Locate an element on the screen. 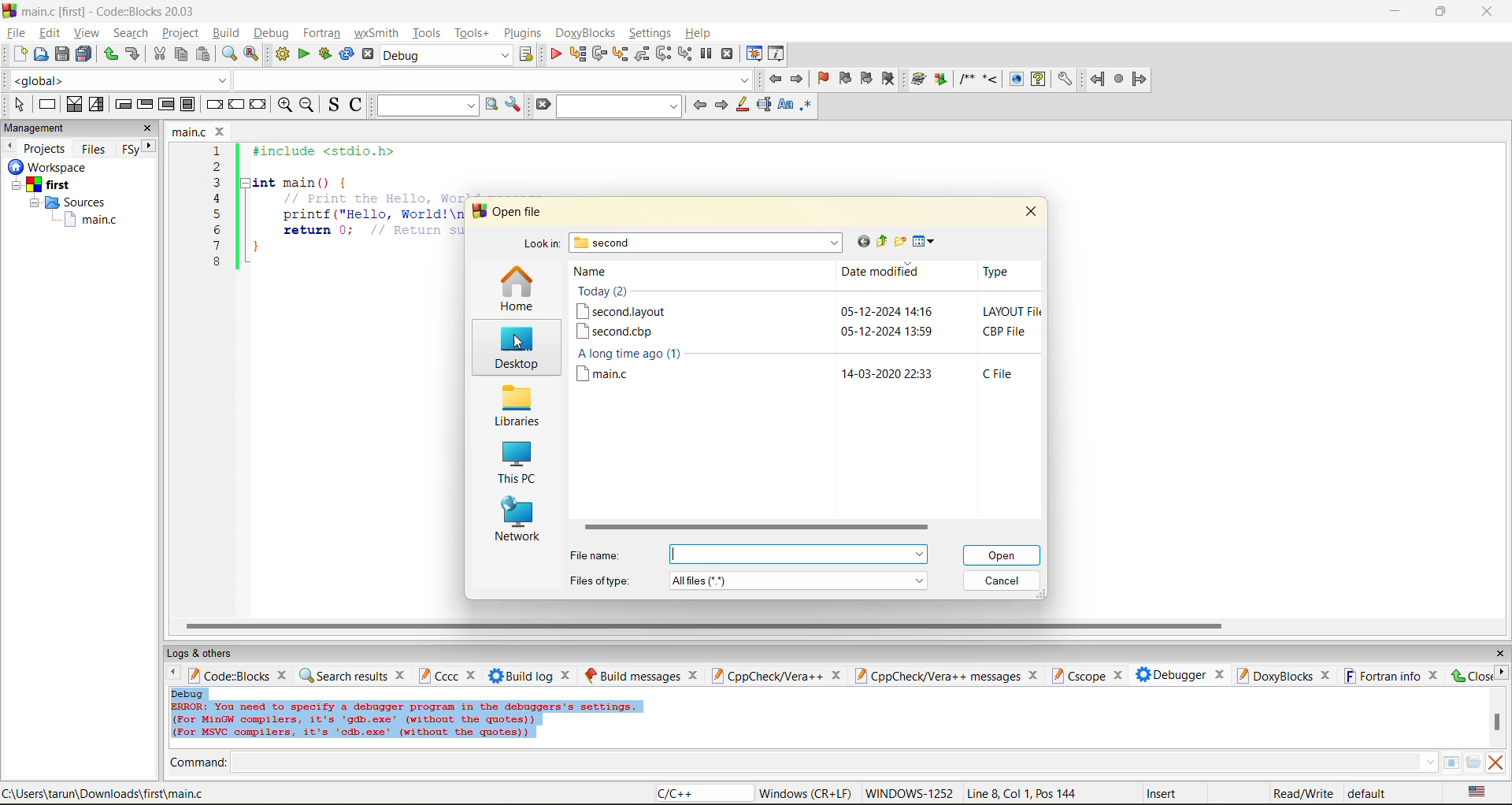  default is located at coordinates (1369, 792).